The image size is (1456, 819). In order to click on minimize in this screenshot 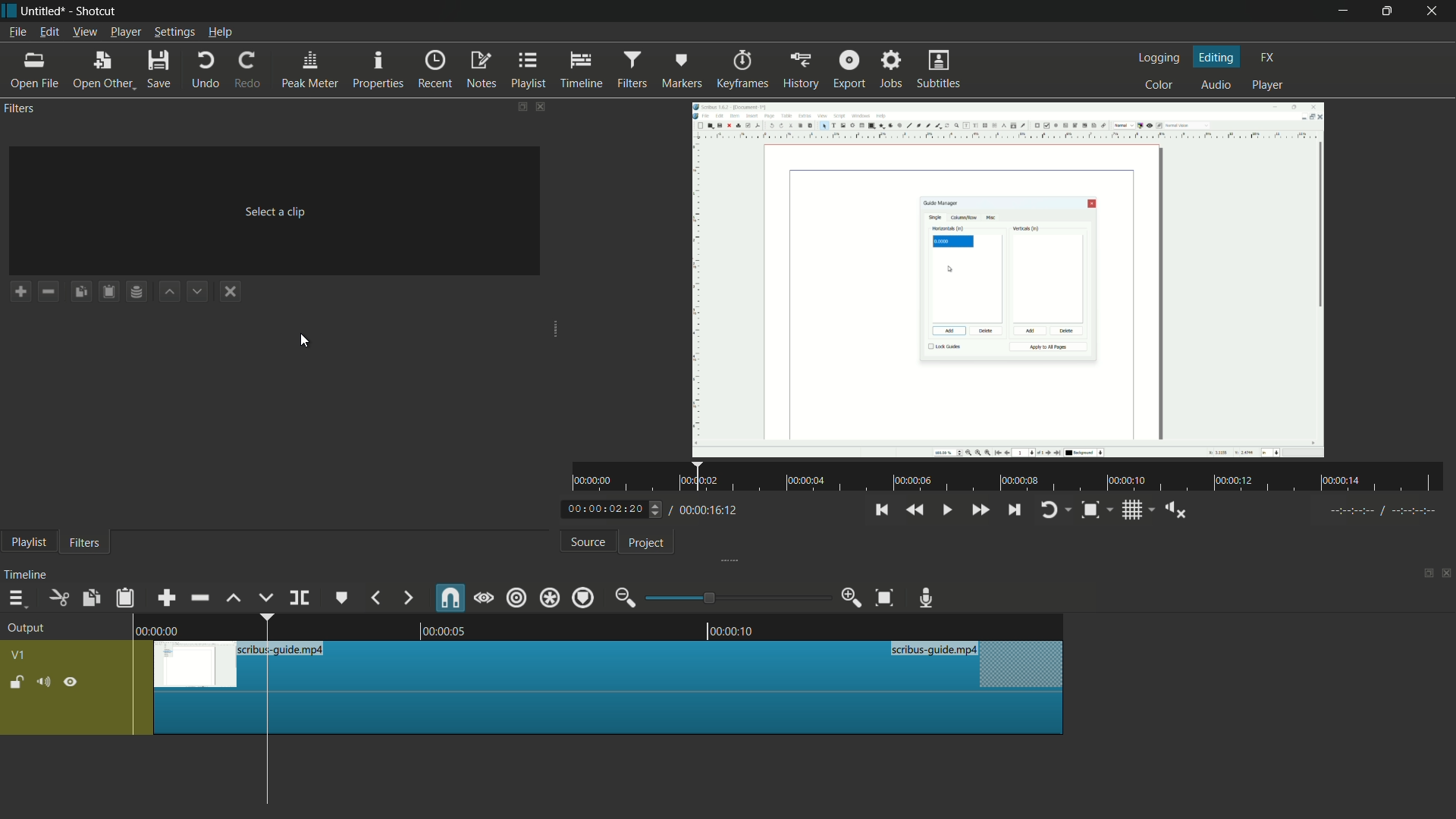, I will do `click(1344, 11)`.